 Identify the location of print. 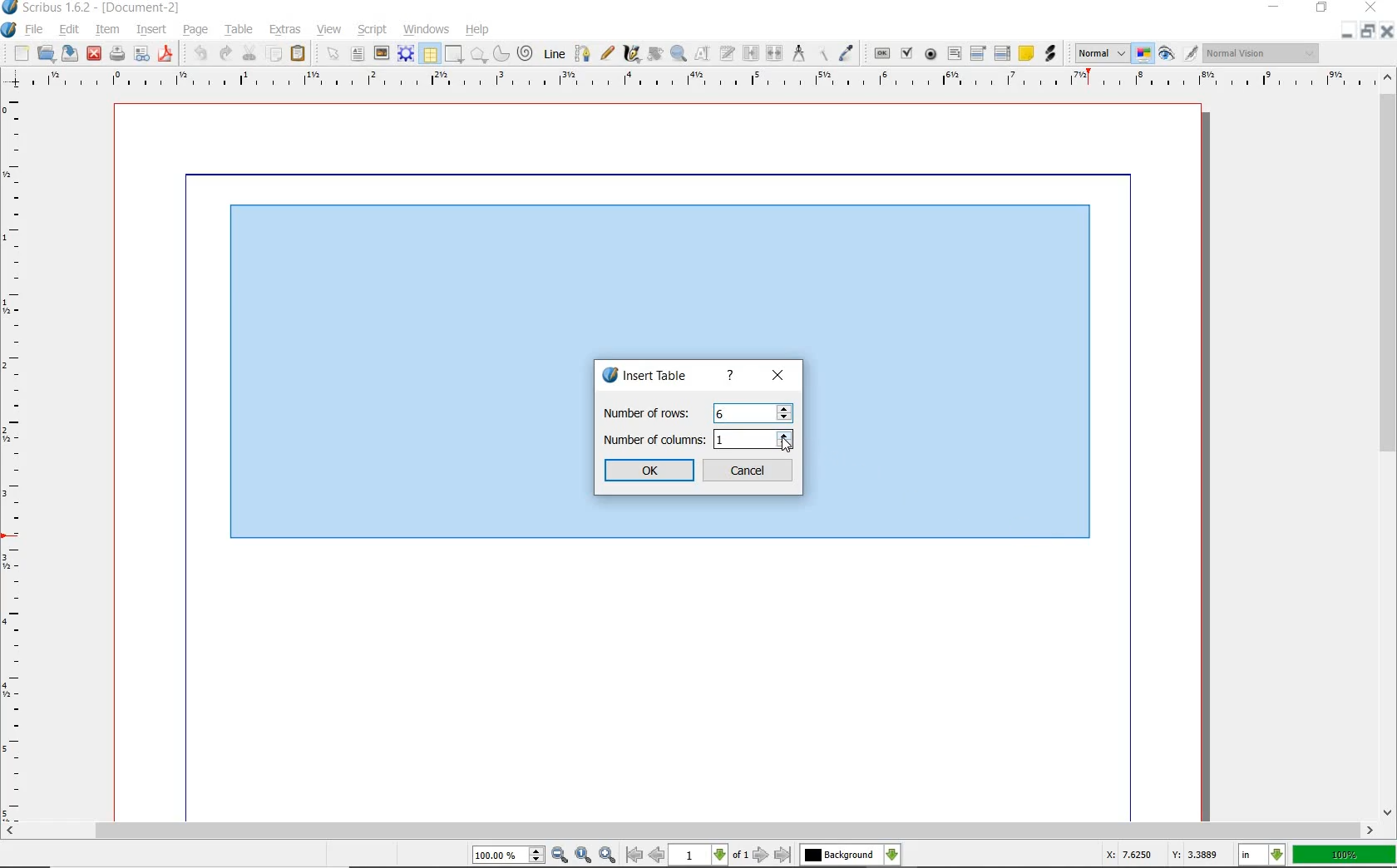
(116, 53).